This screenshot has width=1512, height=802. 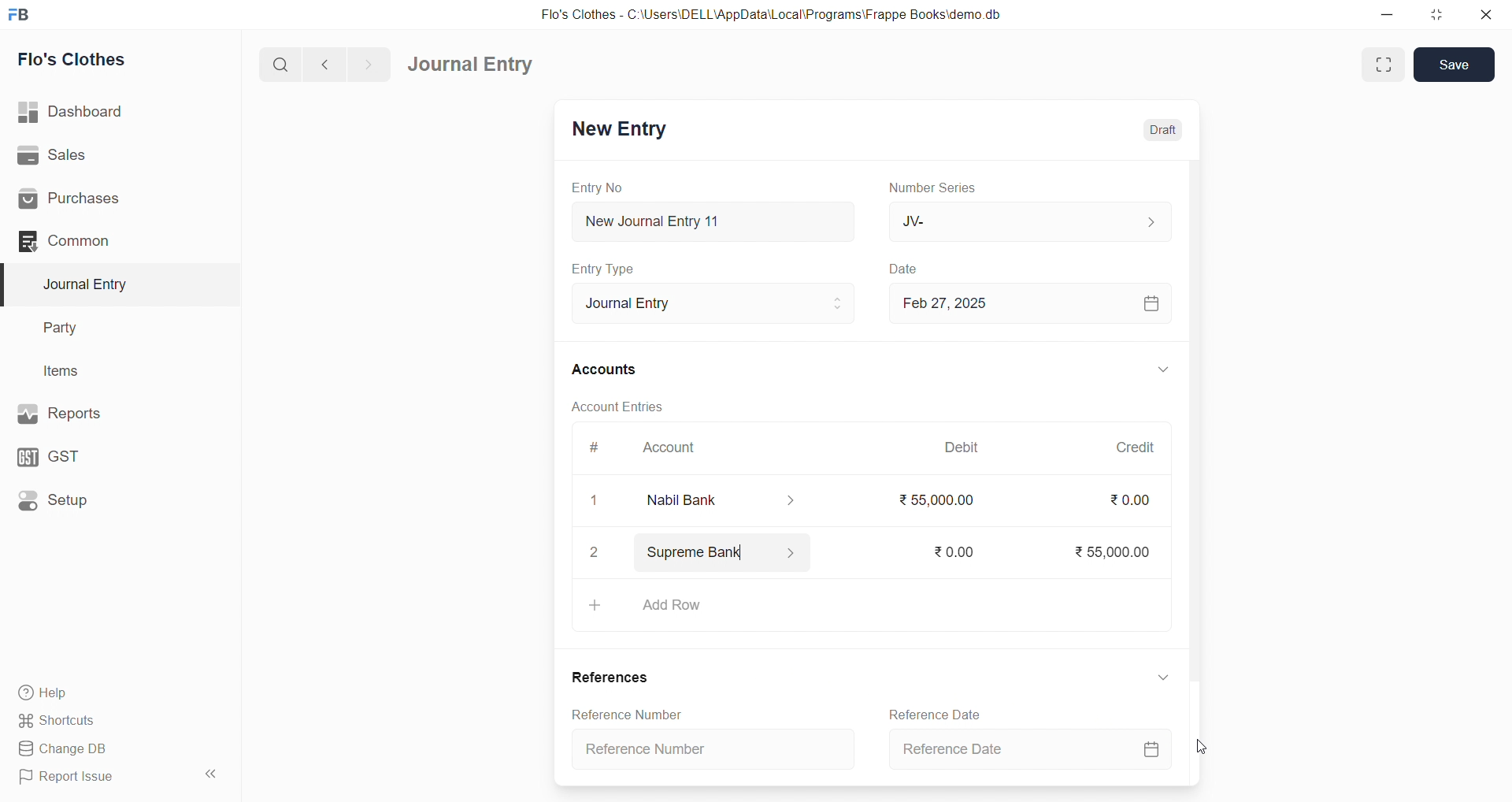 What do you see at coordinates (93, 414) in the screenshot?
I see `Reports` at bounding box center [93, 414].